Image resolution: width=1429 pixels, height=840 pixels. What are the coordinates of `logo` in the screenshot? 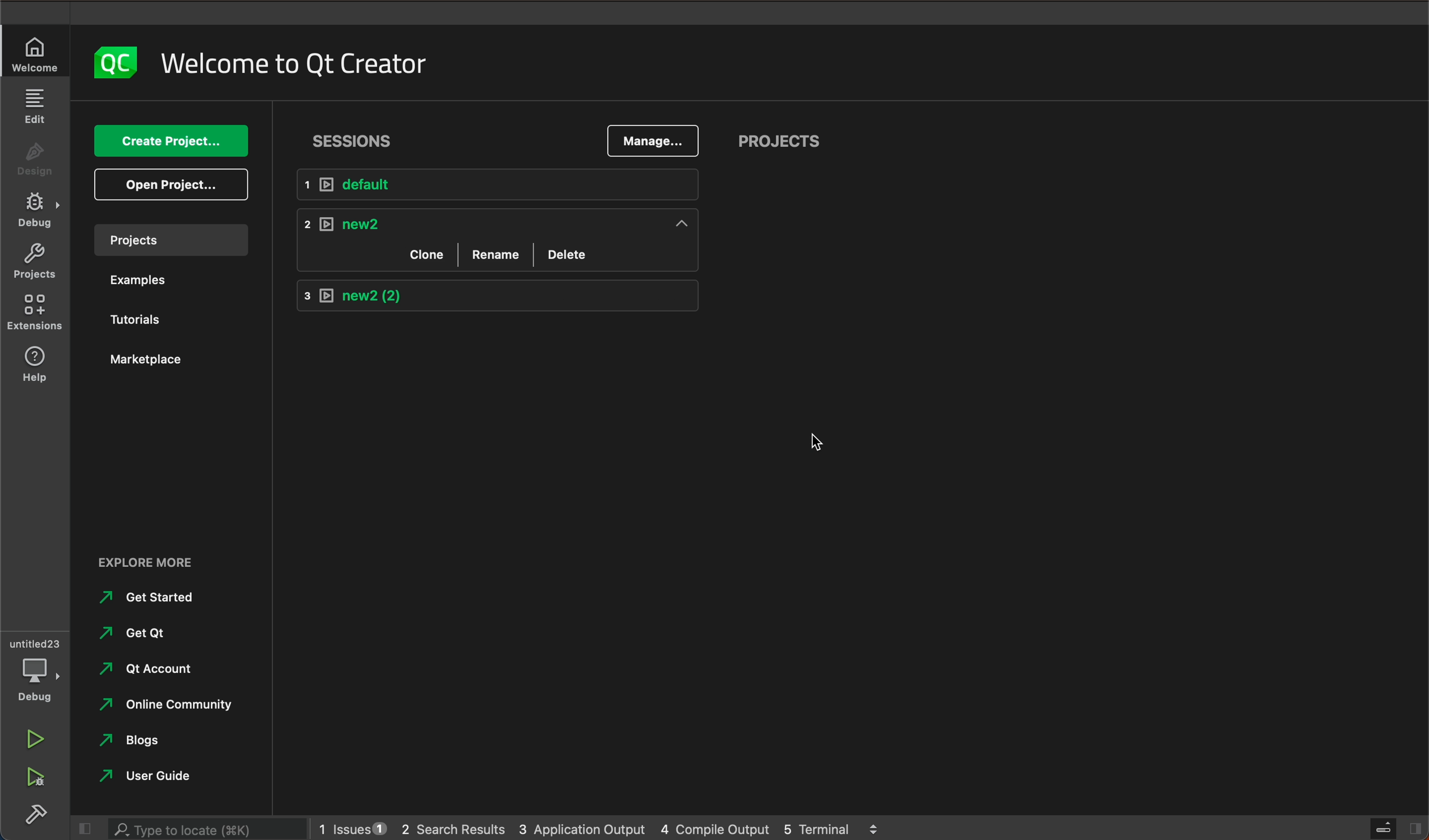 It's located at (116, 60).